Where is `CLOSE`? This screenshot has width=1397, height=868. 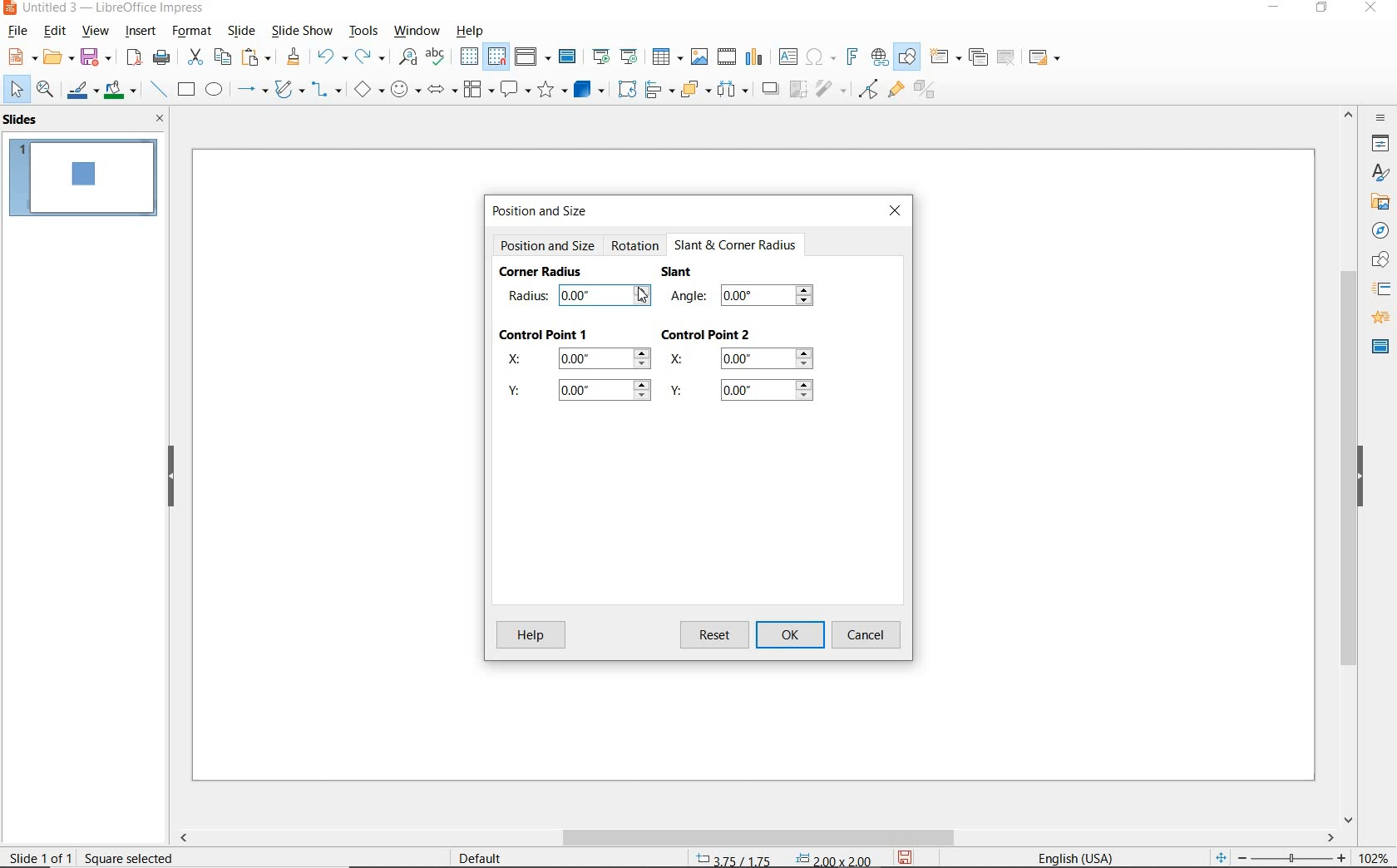
CLOSE is located at coordinates (896, 214).